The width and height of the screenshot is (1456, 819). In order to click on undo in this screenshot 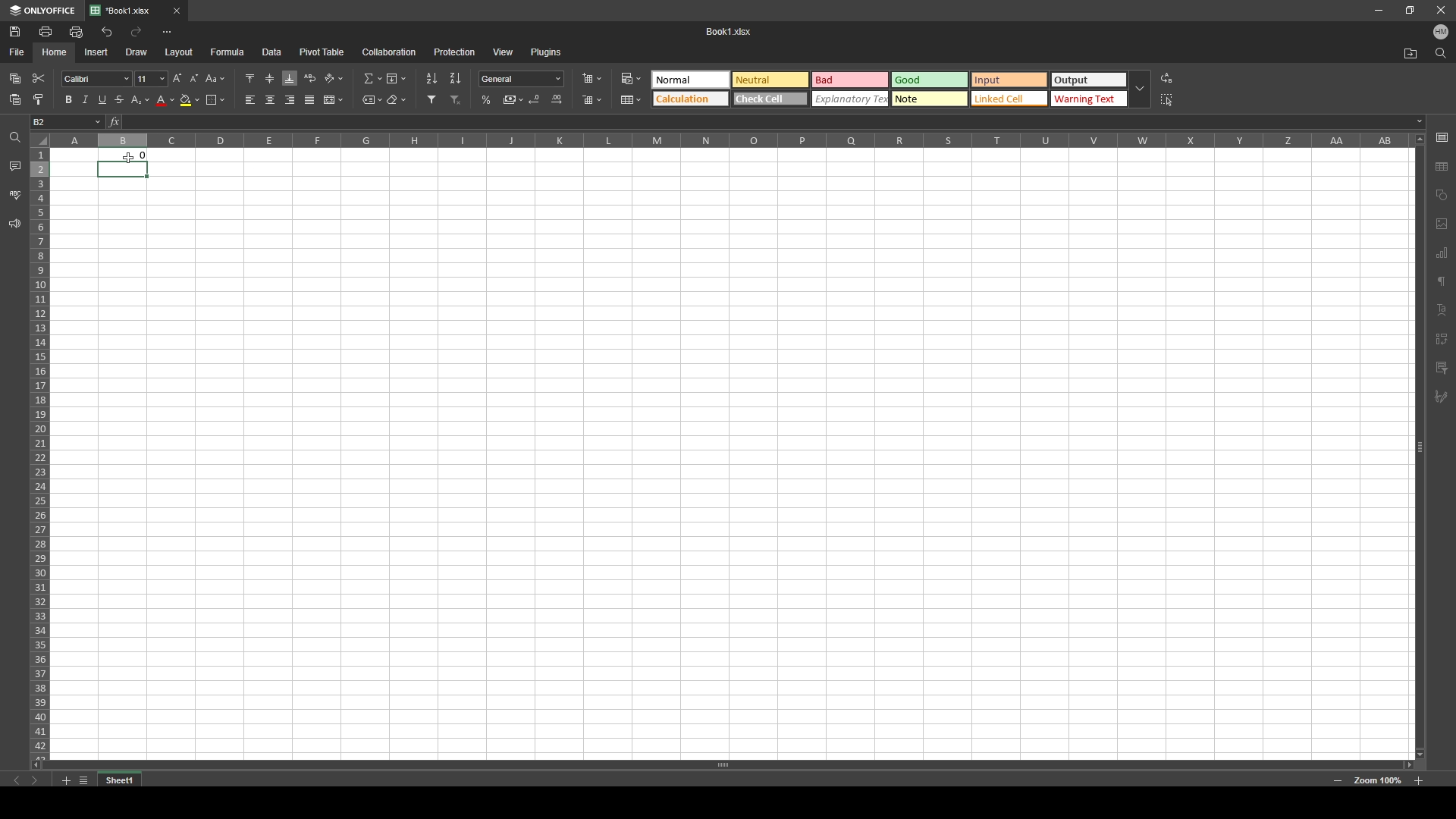, I will do `click(106, 33)`.